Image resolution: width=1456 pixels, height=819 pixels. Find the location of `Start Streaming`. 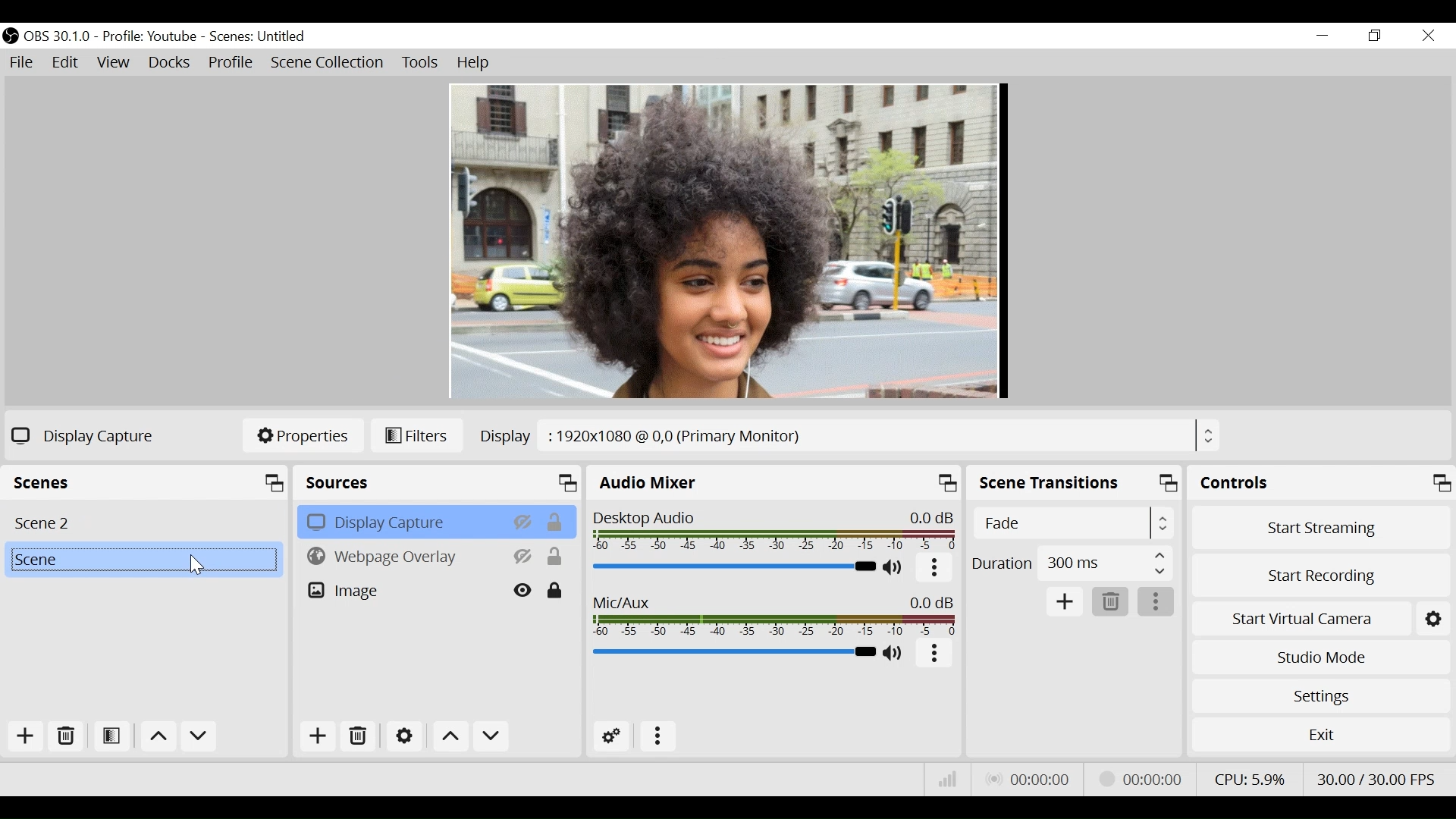

Start Streaming is located at coordinates (1320, 528).